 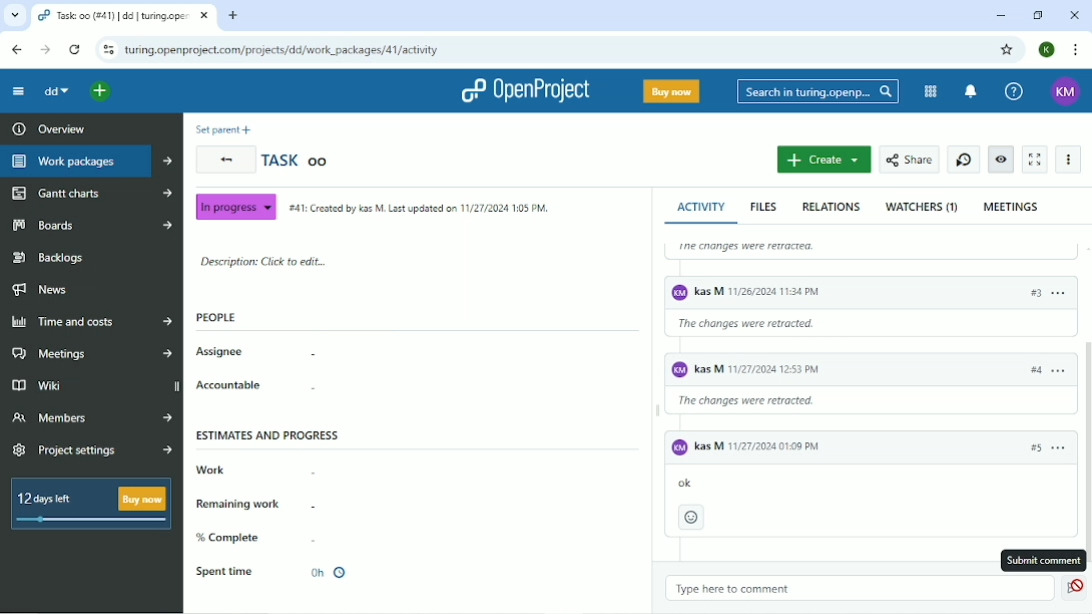 What do you see at coordinates (823, 160) in the screenshot?
I see `Create` at bounding box center [823, 160].